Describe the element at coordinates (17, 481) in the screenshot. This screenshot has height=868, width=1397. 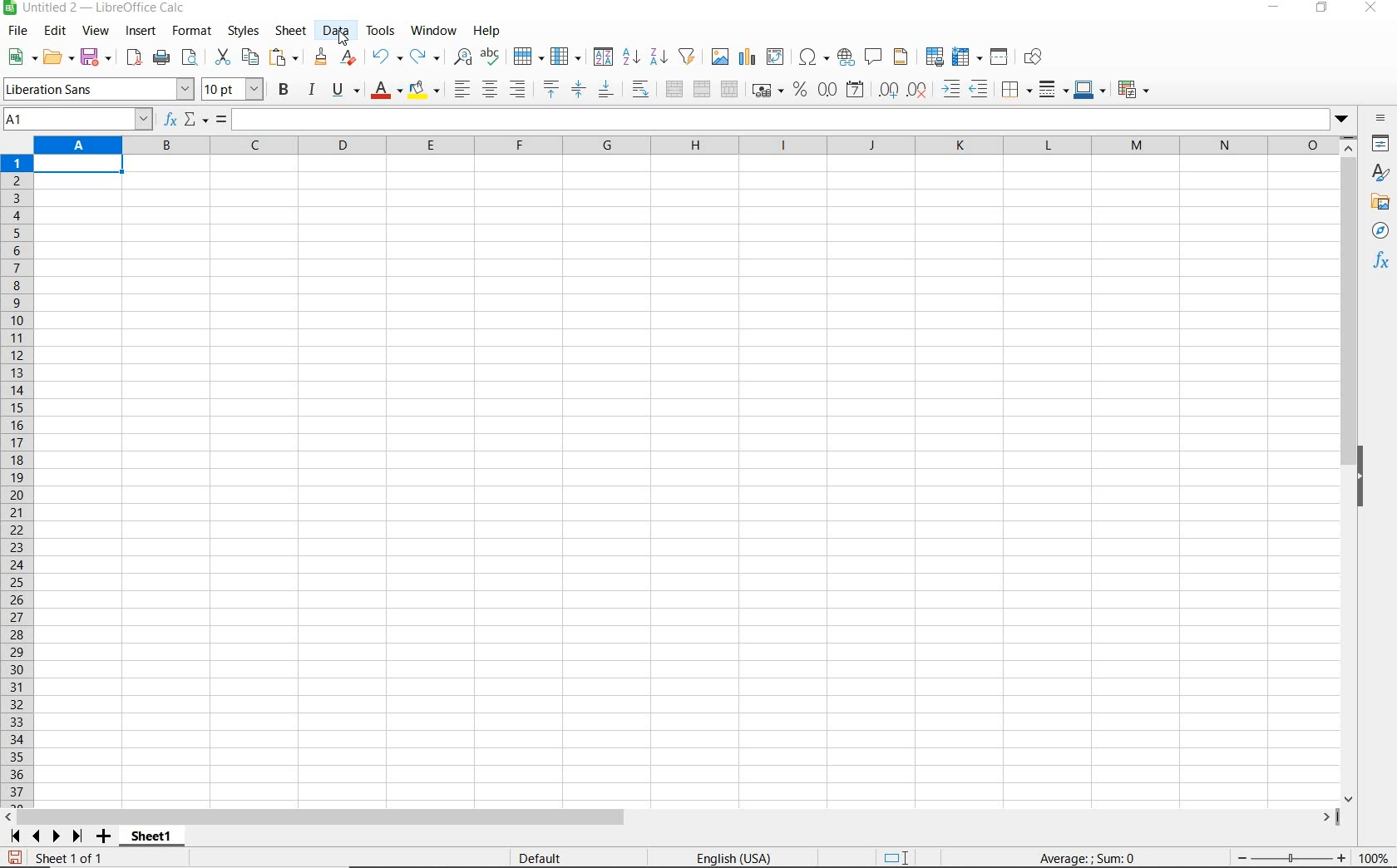
I see `rows` at that location.